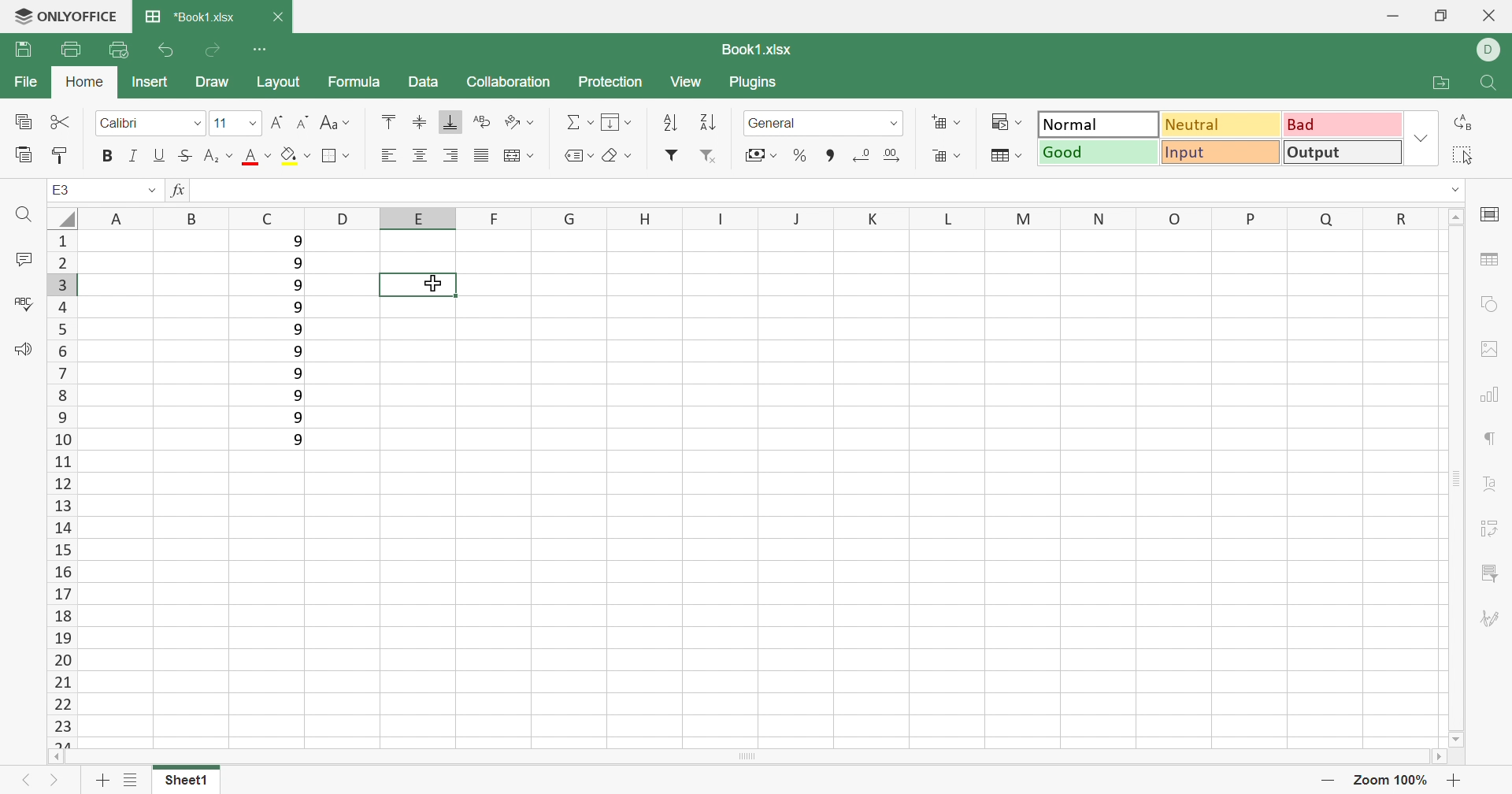  Describe the element at coordinates (61, 191) in the screenshot. I see `A1` at that location.